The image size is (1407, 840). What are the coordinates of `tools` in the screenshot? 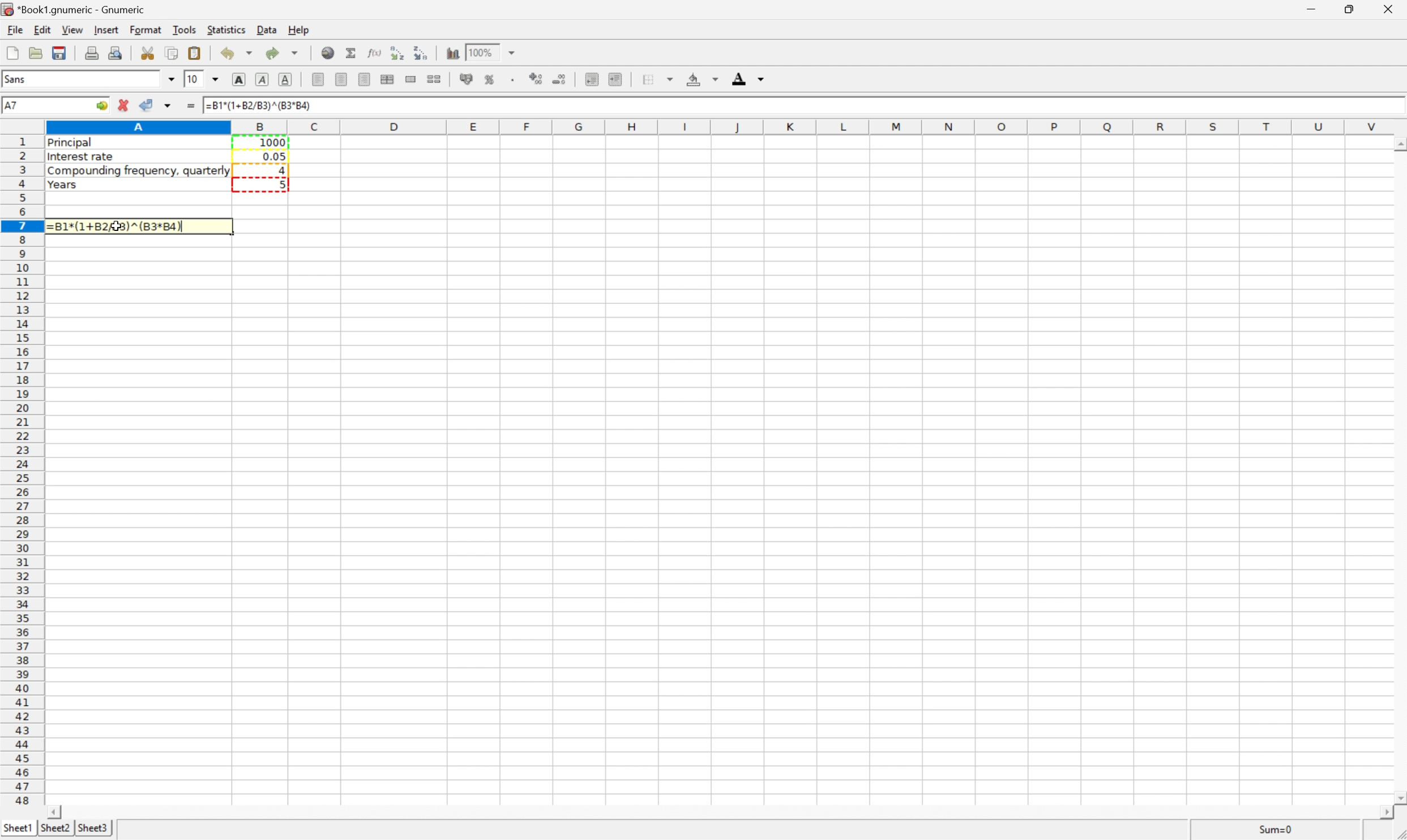 It's located at (185, 29).